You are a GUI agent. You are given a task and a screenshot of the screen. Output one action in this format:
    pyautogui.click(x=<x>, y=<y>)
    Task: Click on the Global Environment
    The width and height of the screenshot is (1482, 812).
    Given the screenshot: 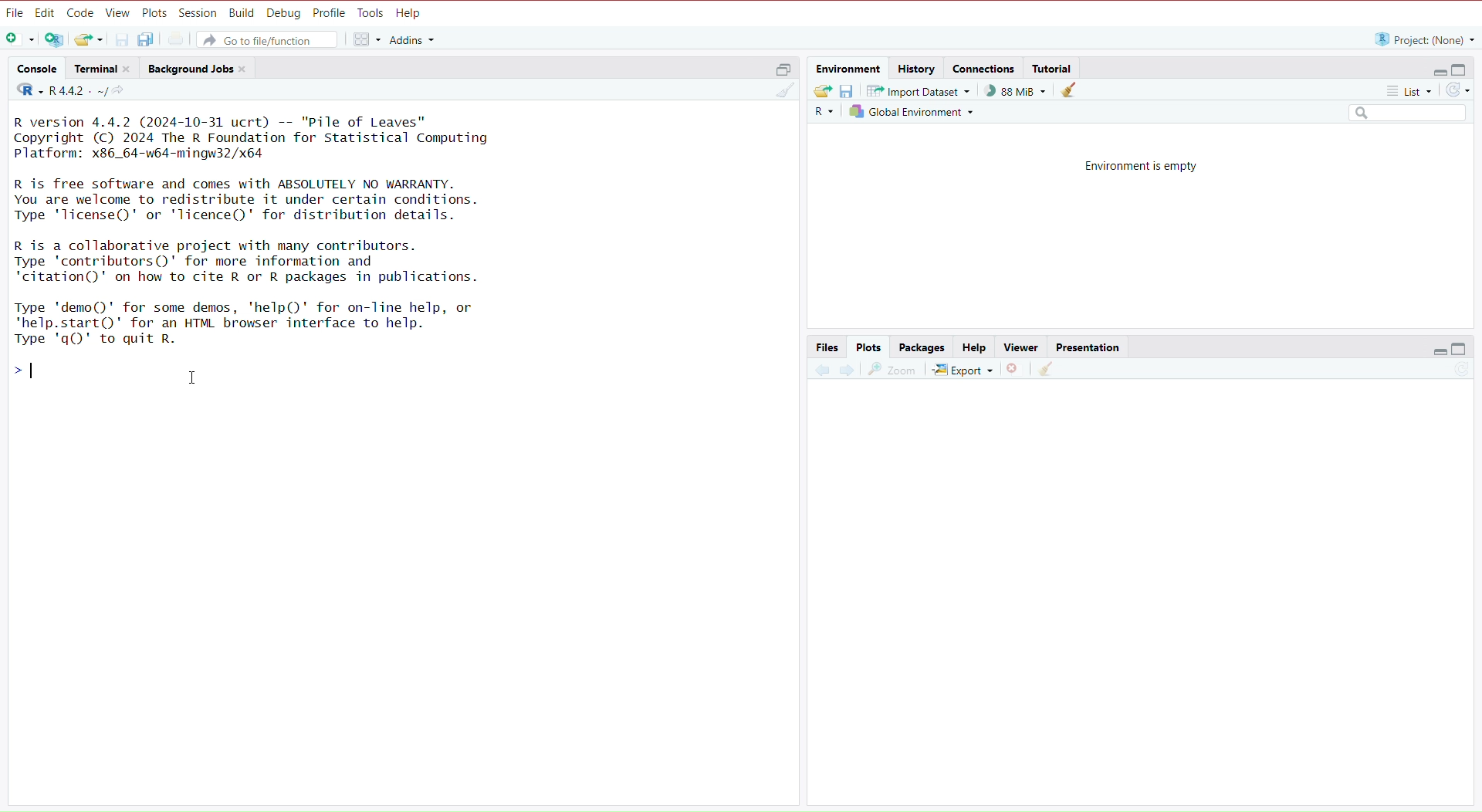 What is the action you would take?
    pyautogui.click(x=909, y=110)
    